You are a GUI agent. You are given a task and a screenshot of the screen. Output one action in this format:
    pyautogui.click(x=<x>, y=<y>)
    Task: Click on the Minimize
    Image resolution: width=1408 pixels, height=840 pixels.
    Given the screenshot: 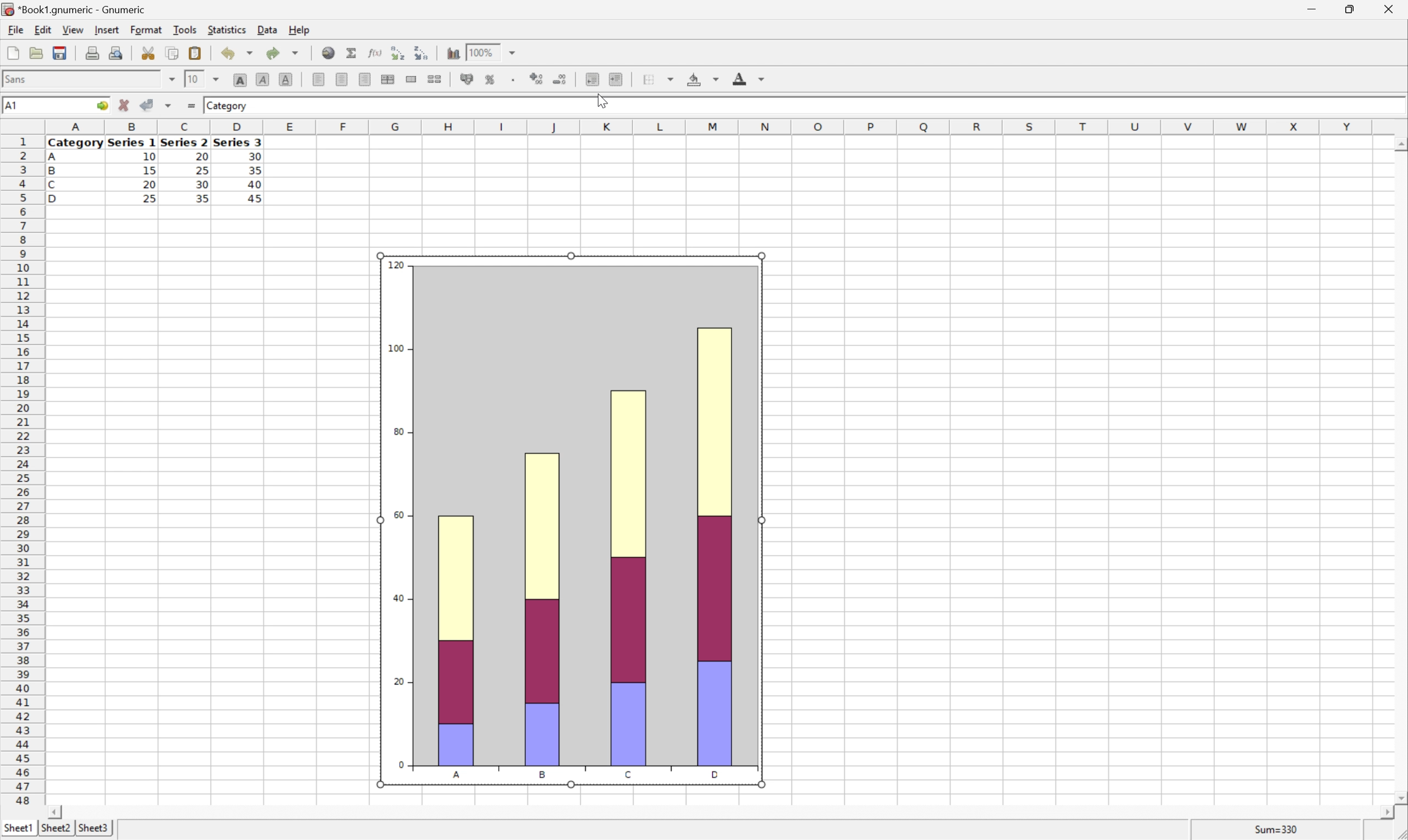 What is the action you would take?
    pyautogui.click(x=1308, y=10)
    